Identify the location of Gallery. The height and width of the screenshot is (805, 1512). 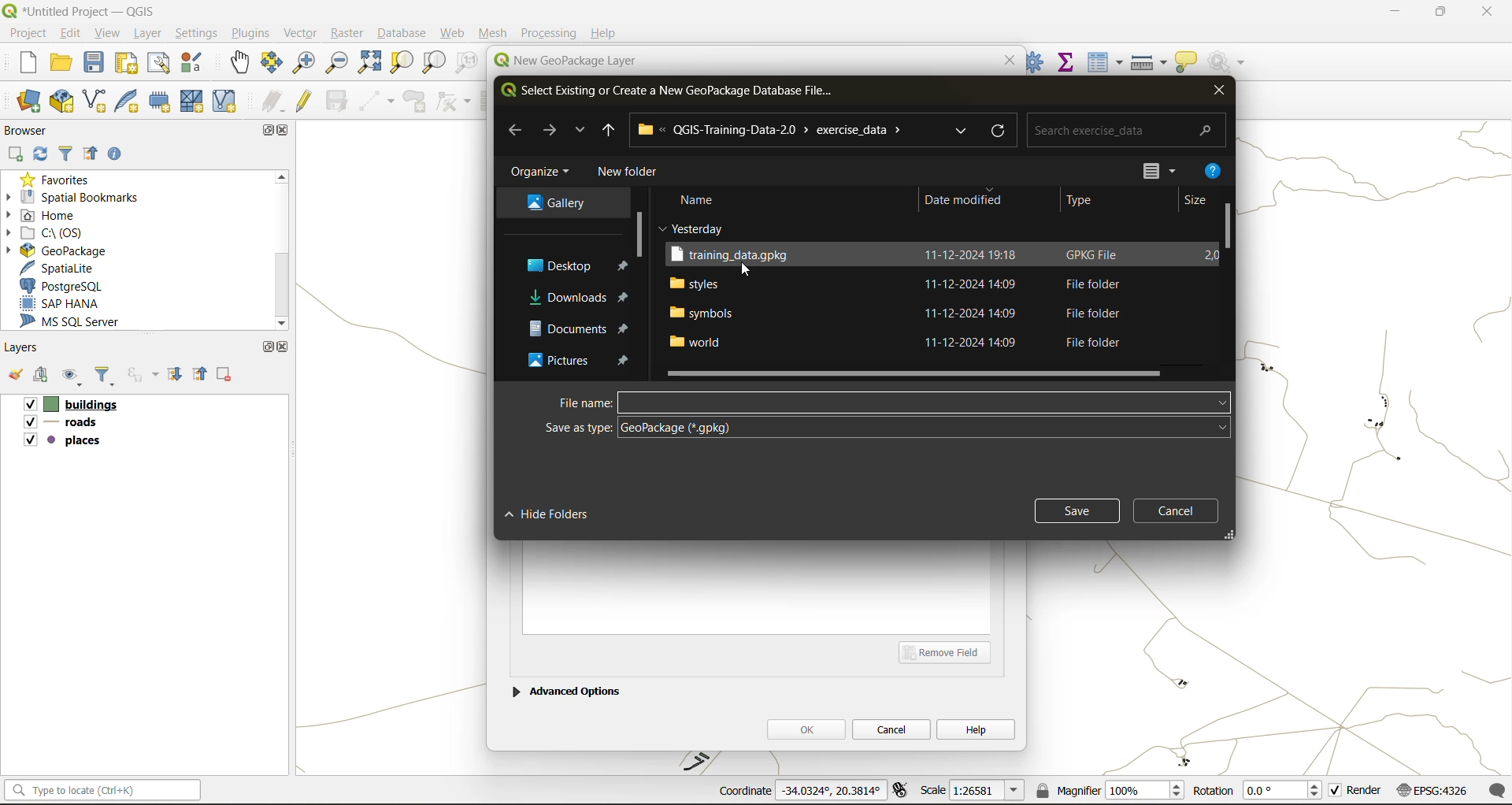
(554, 202).